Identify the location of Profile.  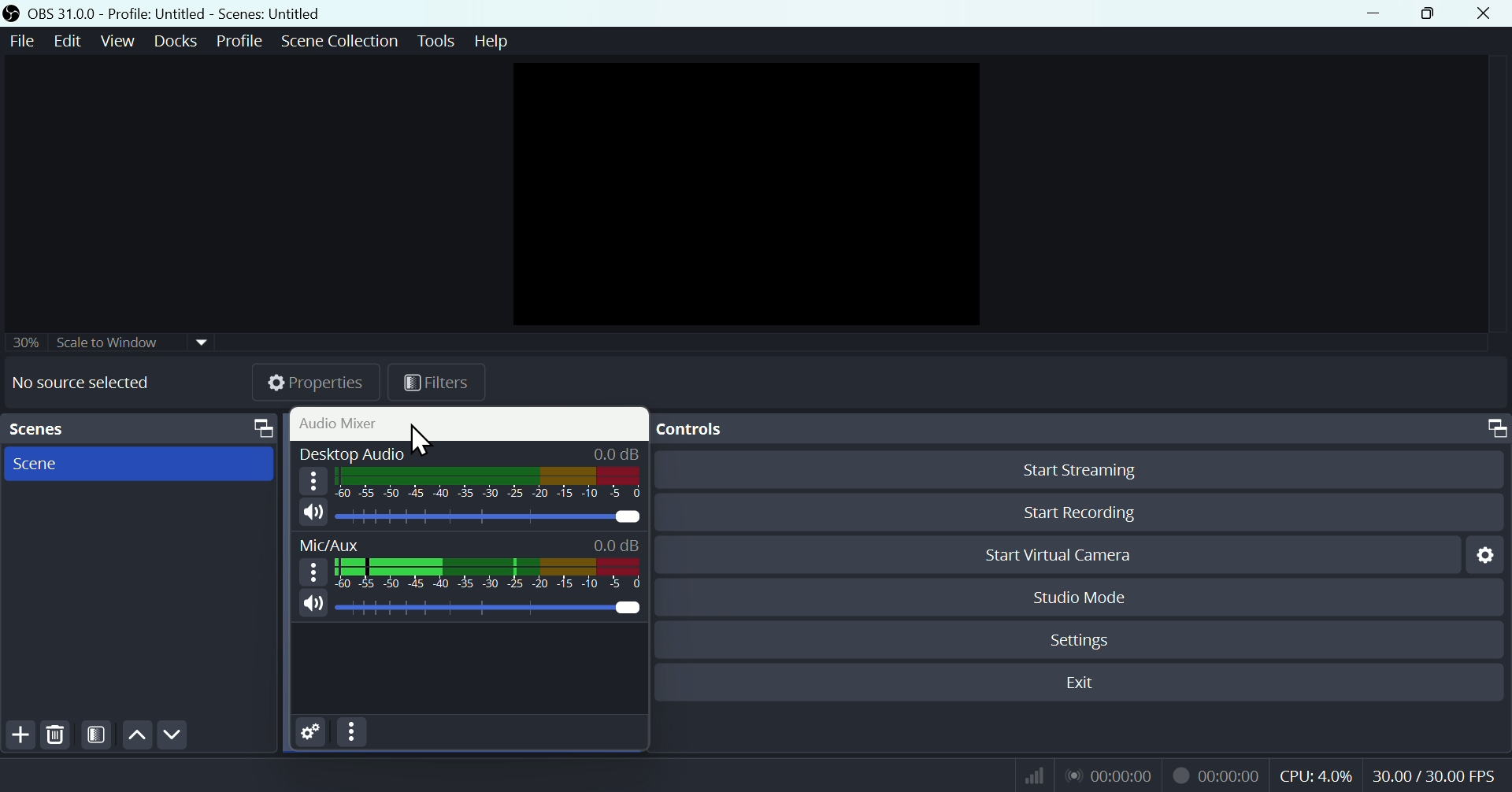
(235, 38).